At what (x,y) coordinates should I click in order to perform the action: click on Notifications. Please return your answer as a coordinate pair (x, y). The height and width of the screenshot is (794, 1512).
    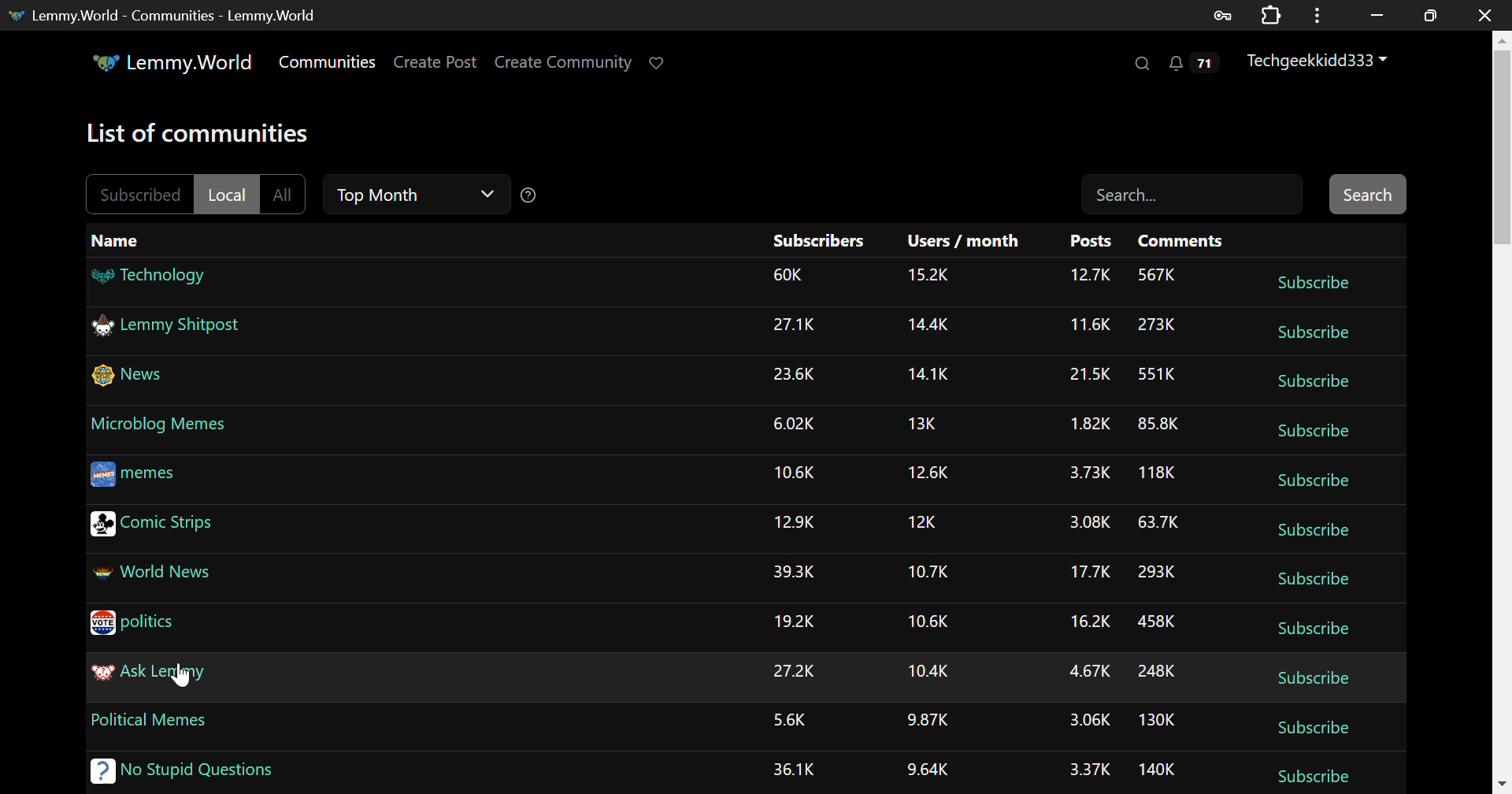
    Looking at the image, I should click on (1197, 64).